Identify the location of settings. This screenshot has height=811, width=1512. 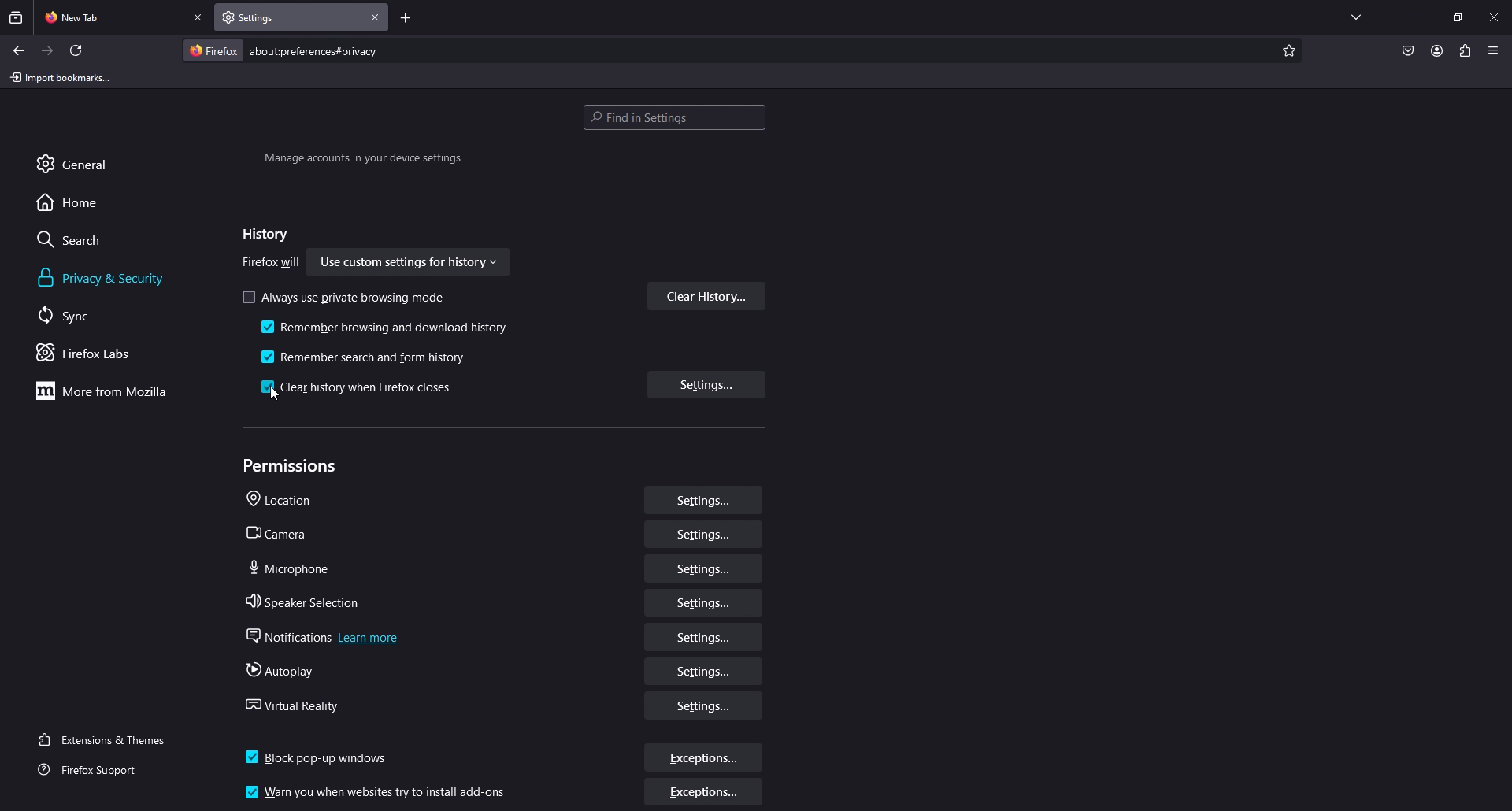
(704, 637).